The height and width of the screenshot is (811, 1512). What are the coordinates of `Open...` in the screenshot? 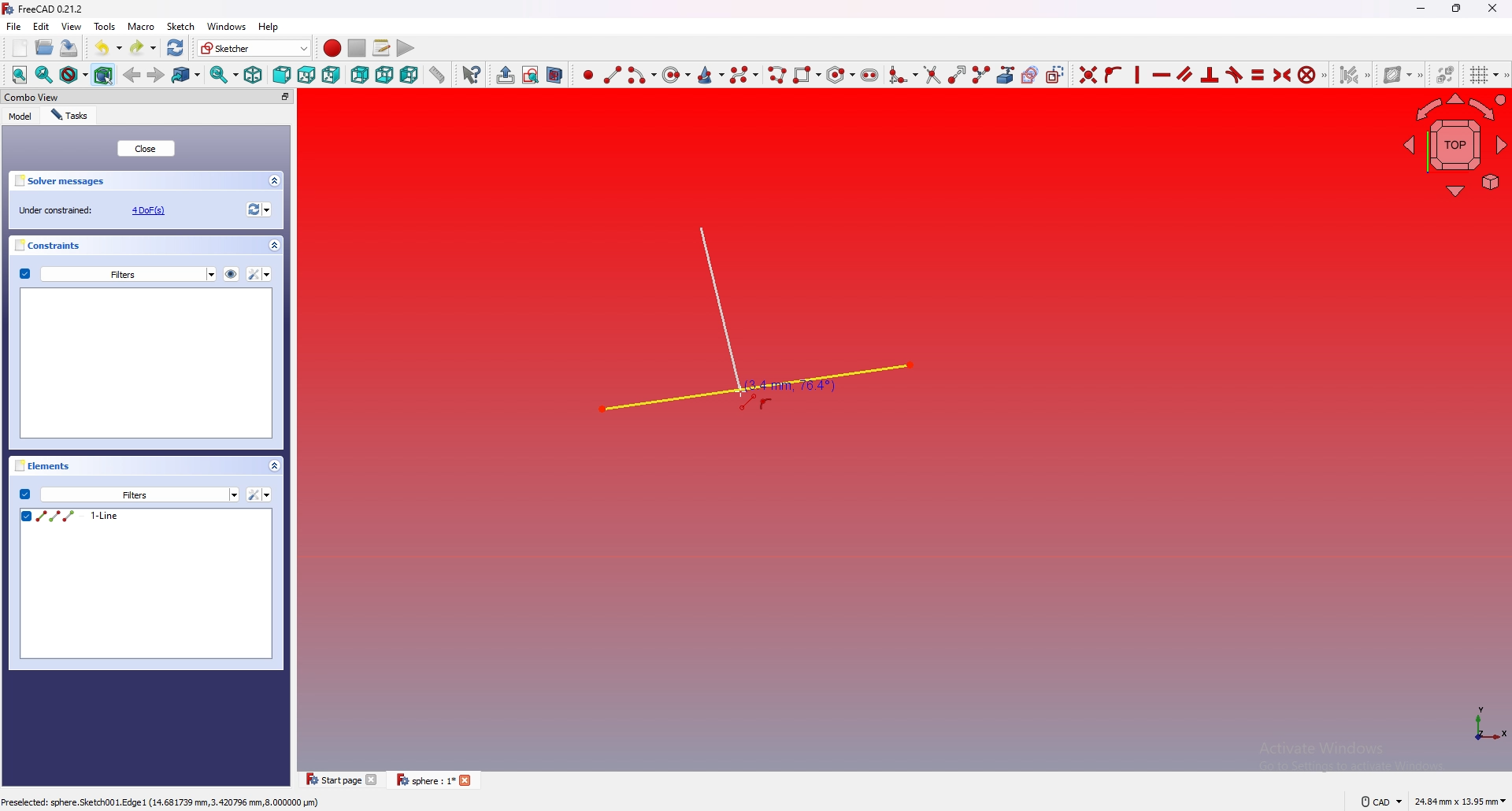 It's located at (43, 48).